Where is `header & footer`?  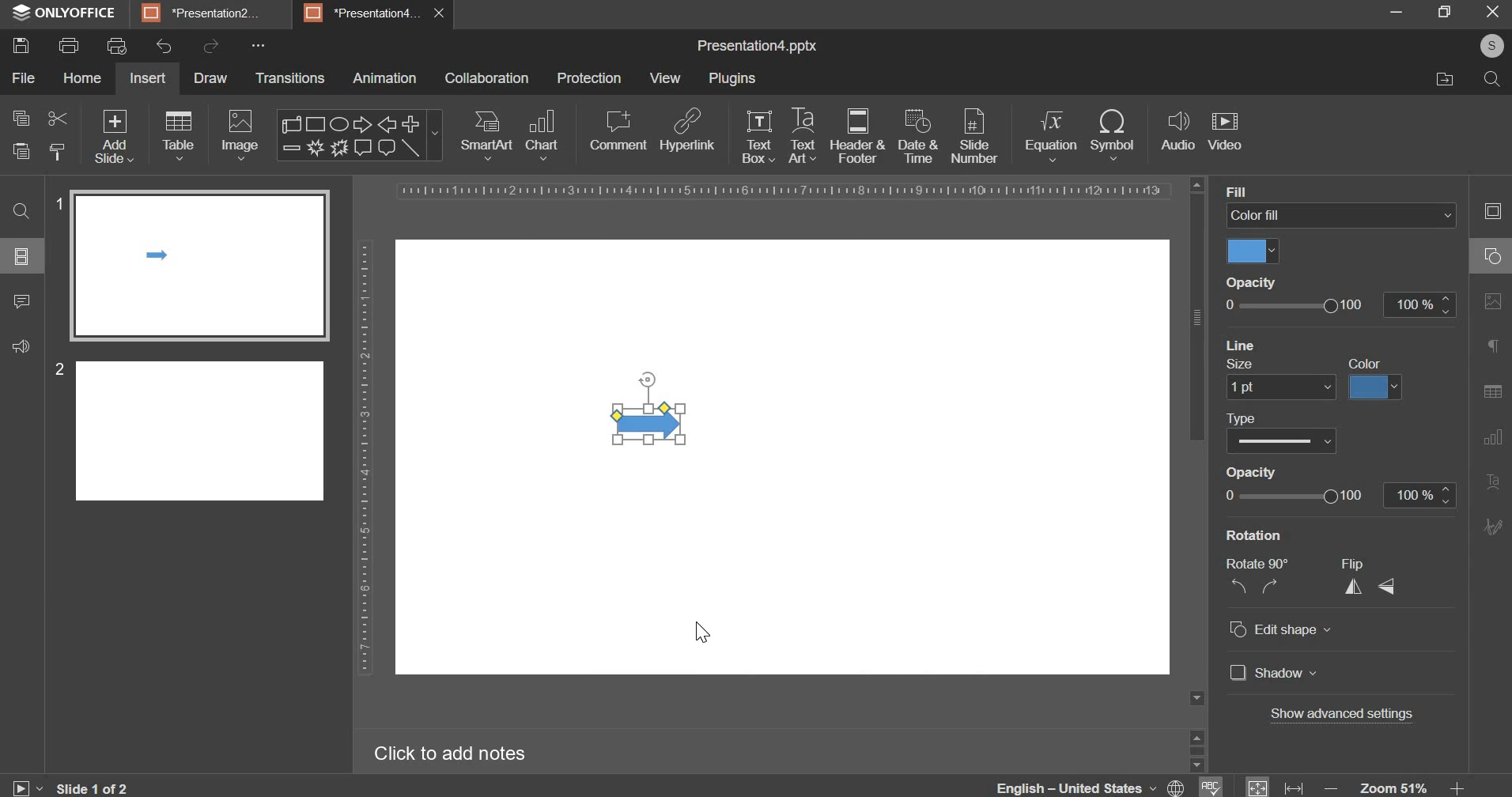 header & footer is located at coordinates (857, 137).